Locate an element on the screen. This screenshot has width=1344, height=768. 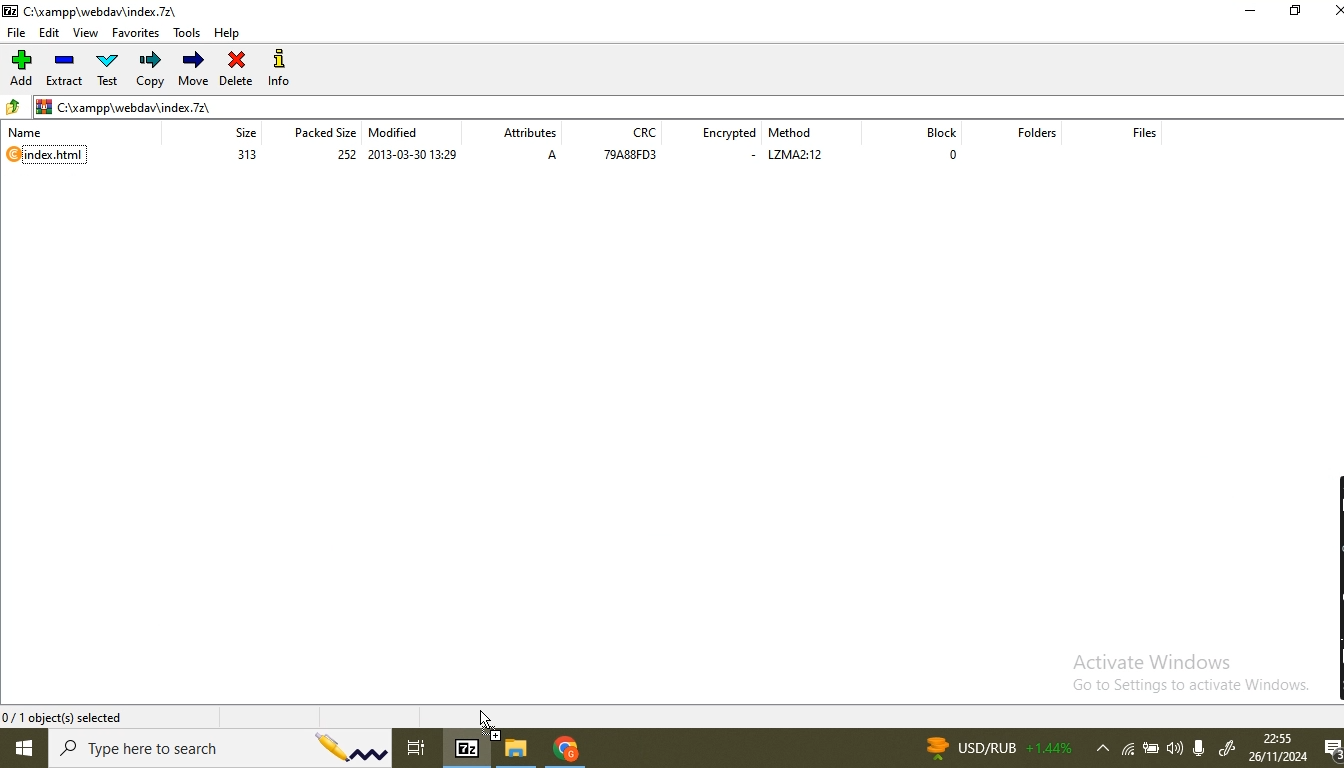
close is located at coordinates (1336, 10).